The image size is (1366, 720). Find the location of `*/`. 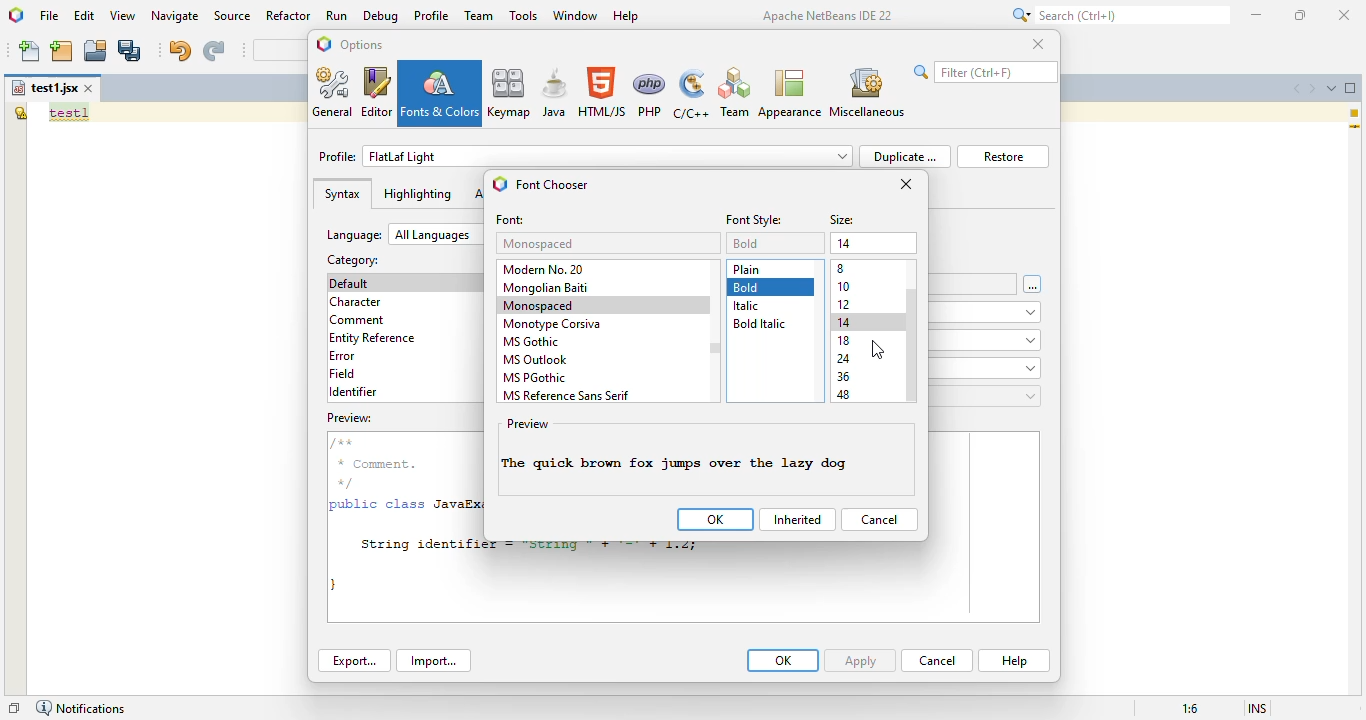

*/ is located at coordinates (351, 482).